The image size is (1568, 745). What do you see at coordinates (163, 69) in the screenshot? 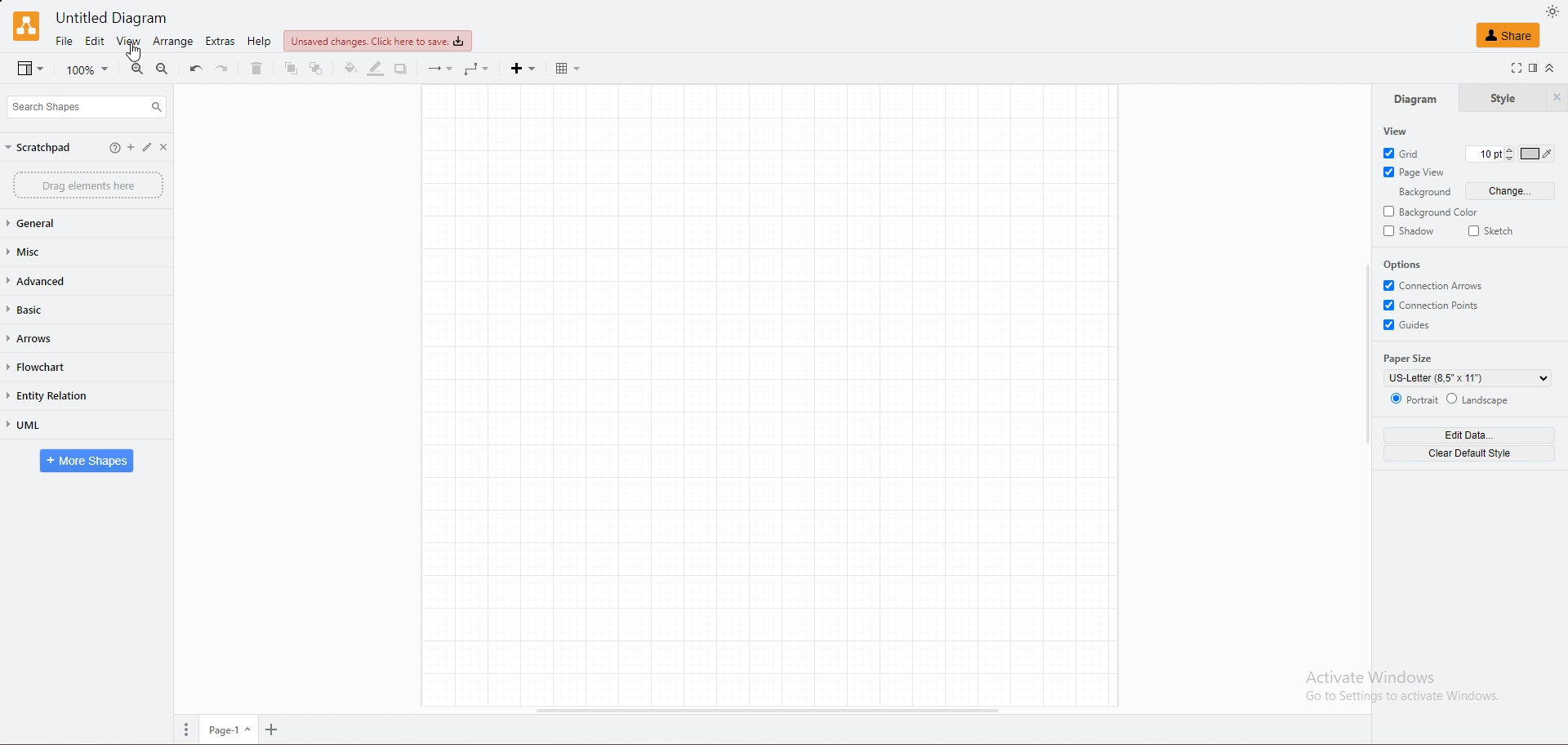
I see `zoom out` at bounding box center [163, 69].